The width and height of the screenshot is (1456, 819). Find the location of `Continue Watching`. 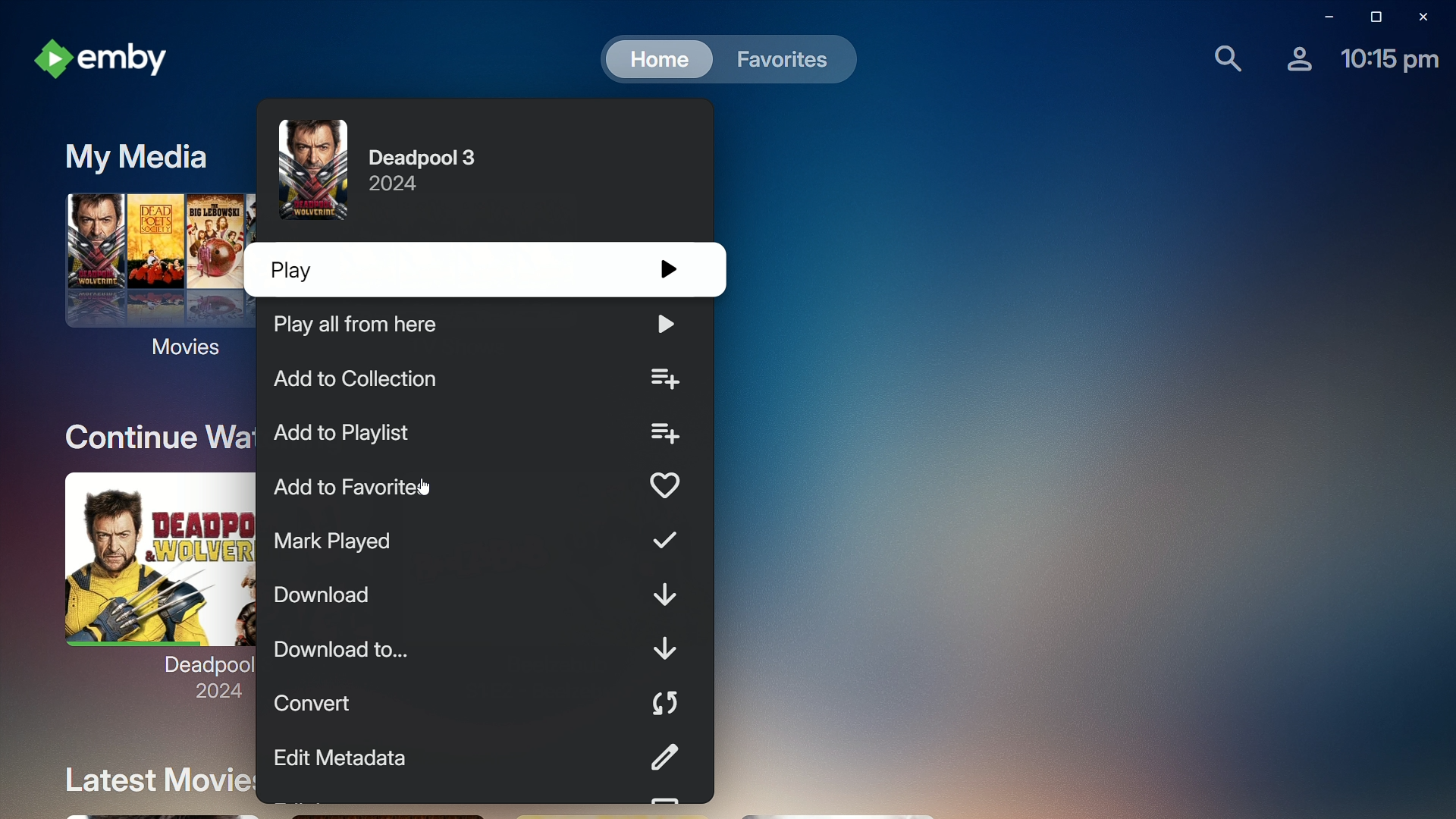

Continue Watching is located at coordinates (157, 438).